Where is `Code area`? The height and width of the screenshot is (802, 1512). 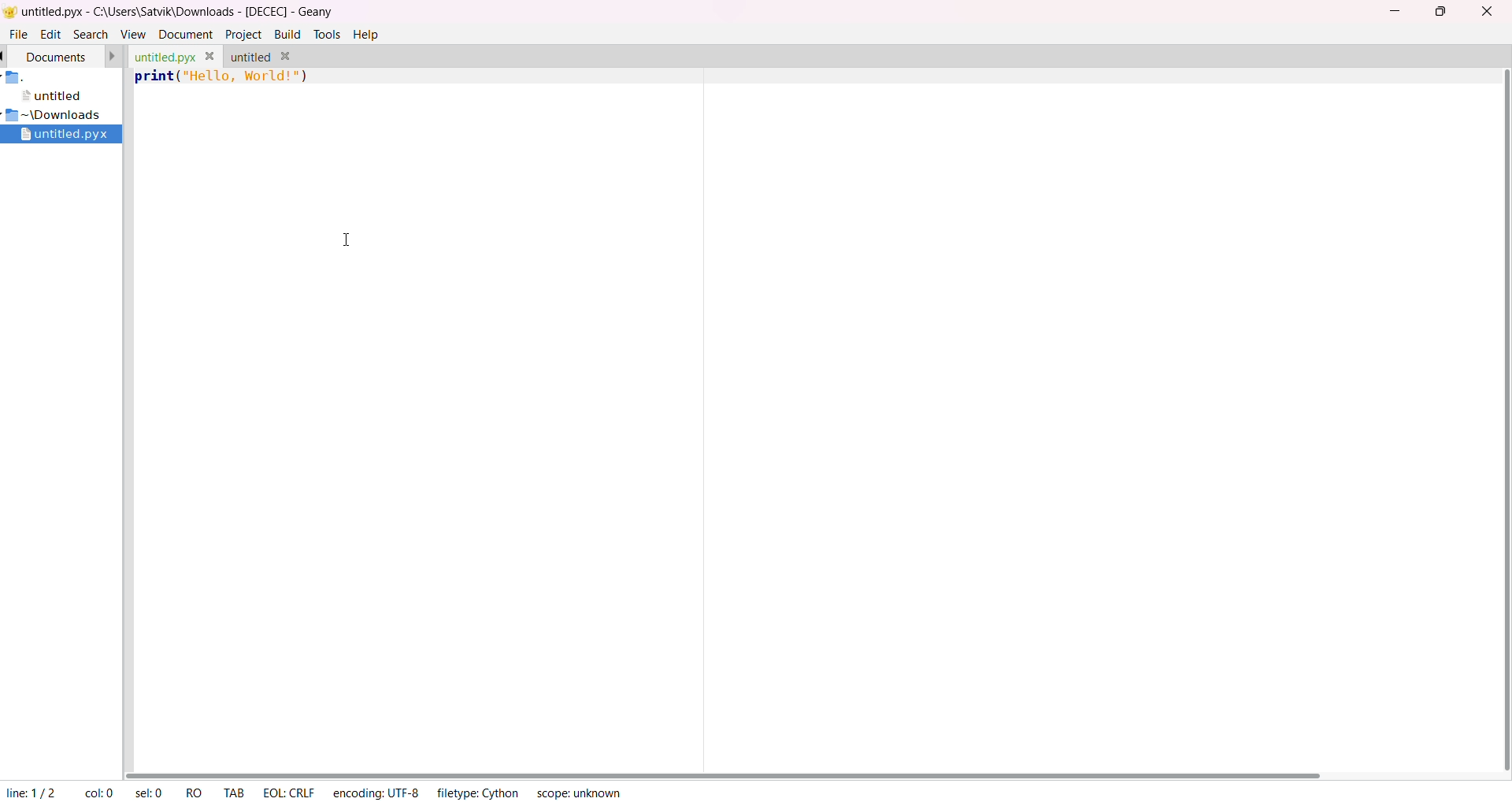
Code area is located at coordinates (917, 418).